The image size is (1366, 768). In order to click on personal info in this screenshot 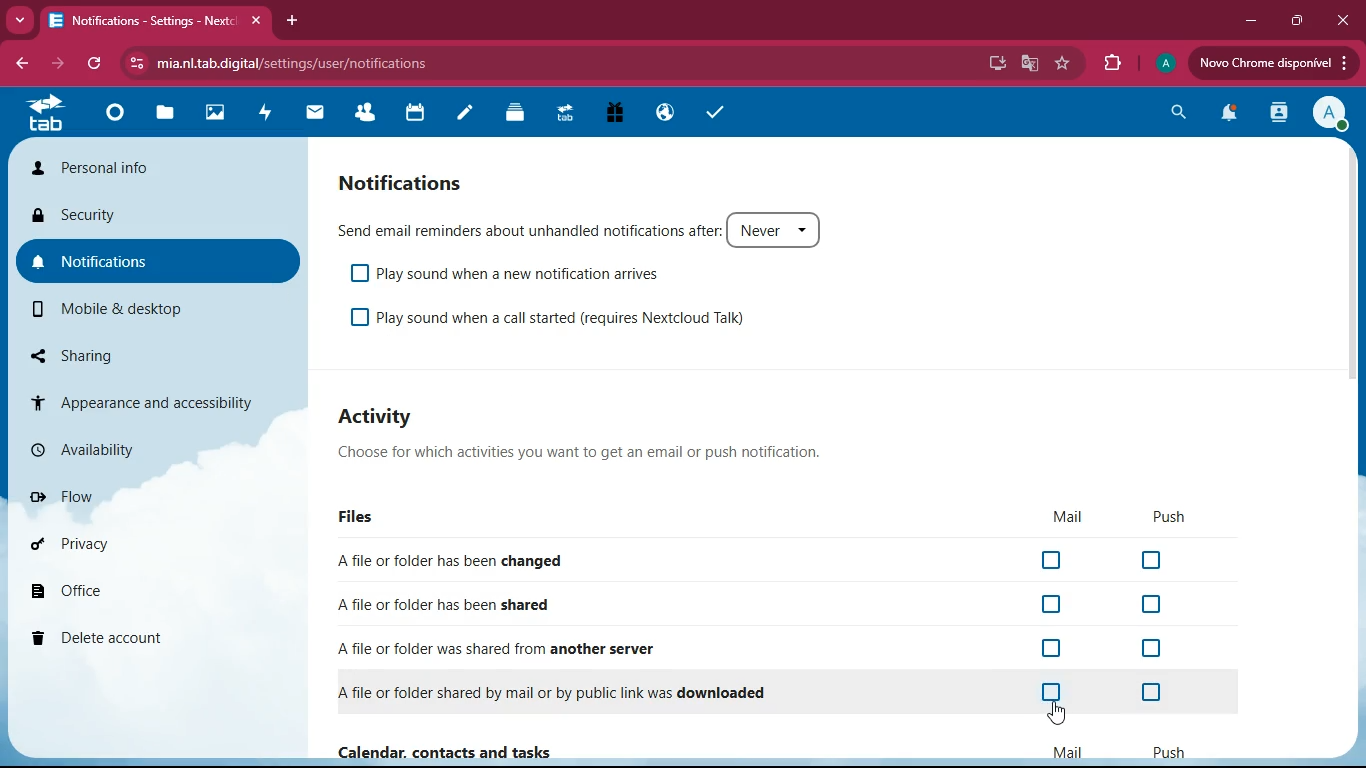, I will do `click(157, 170)`.